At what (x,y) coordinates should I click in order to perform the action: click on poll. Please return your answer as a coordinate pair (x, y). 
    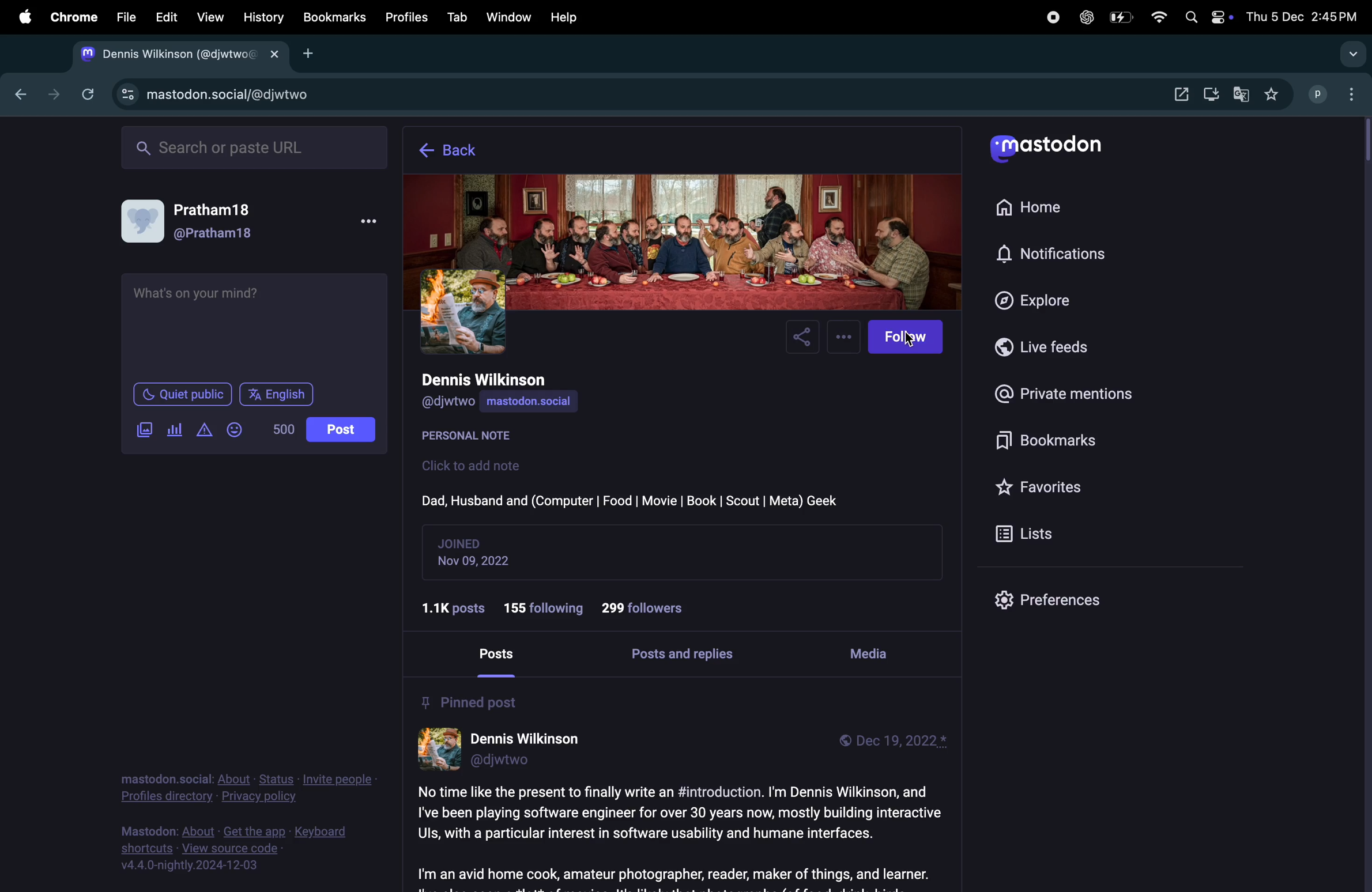
    Looking at the image, I should click on (174, 428).